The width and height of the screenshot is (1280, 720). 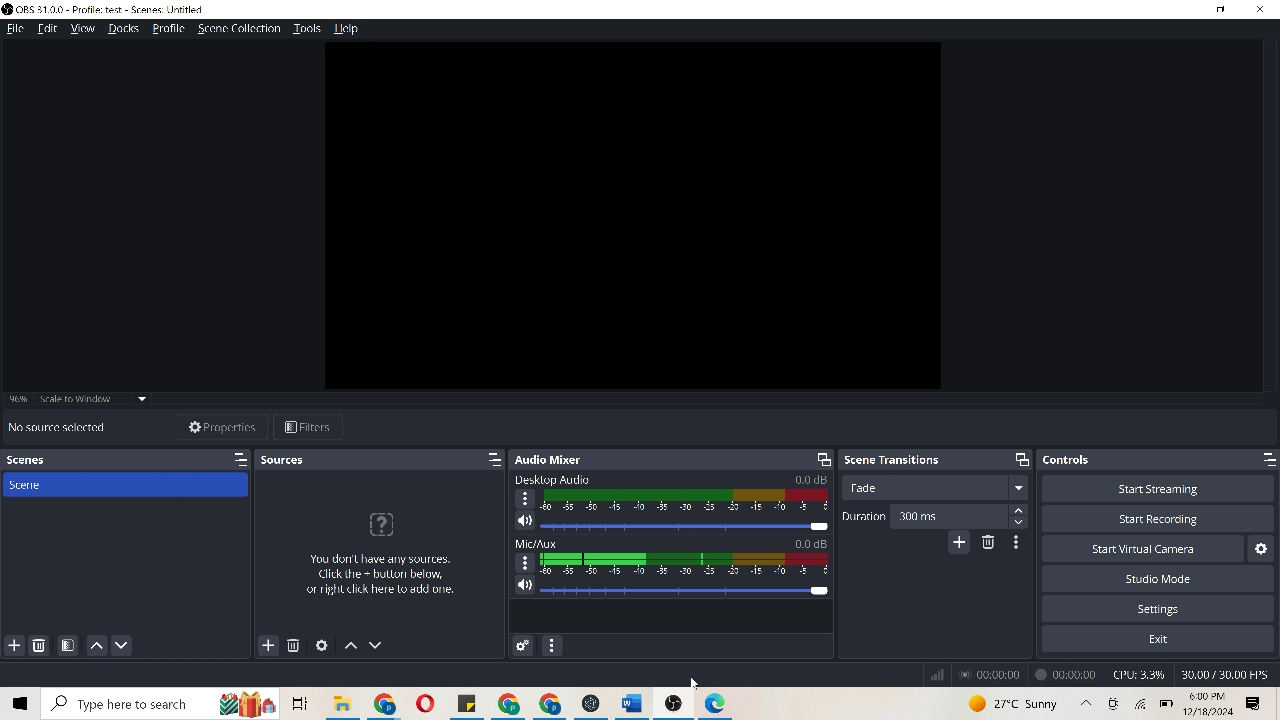 What do you see at coordinates (1156, 523) in the screenshot?
I see `Start recording` at bounding box center [1156, 523].